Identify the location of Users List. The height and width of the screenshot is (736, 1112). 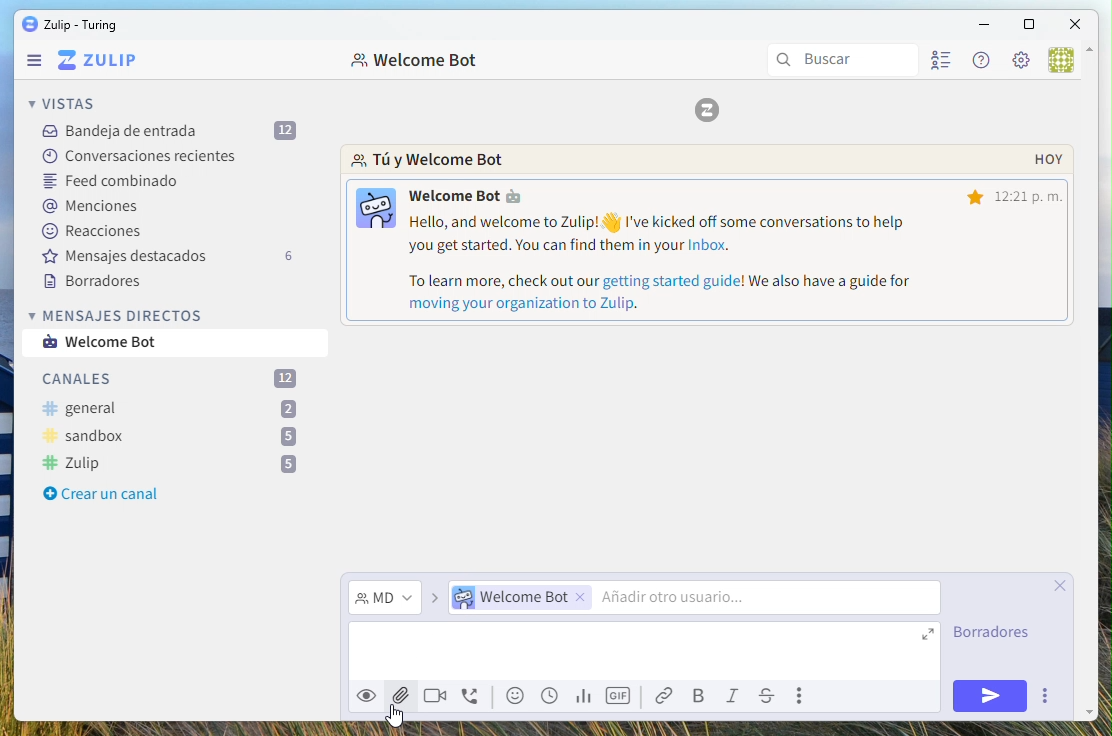
(944, 63).